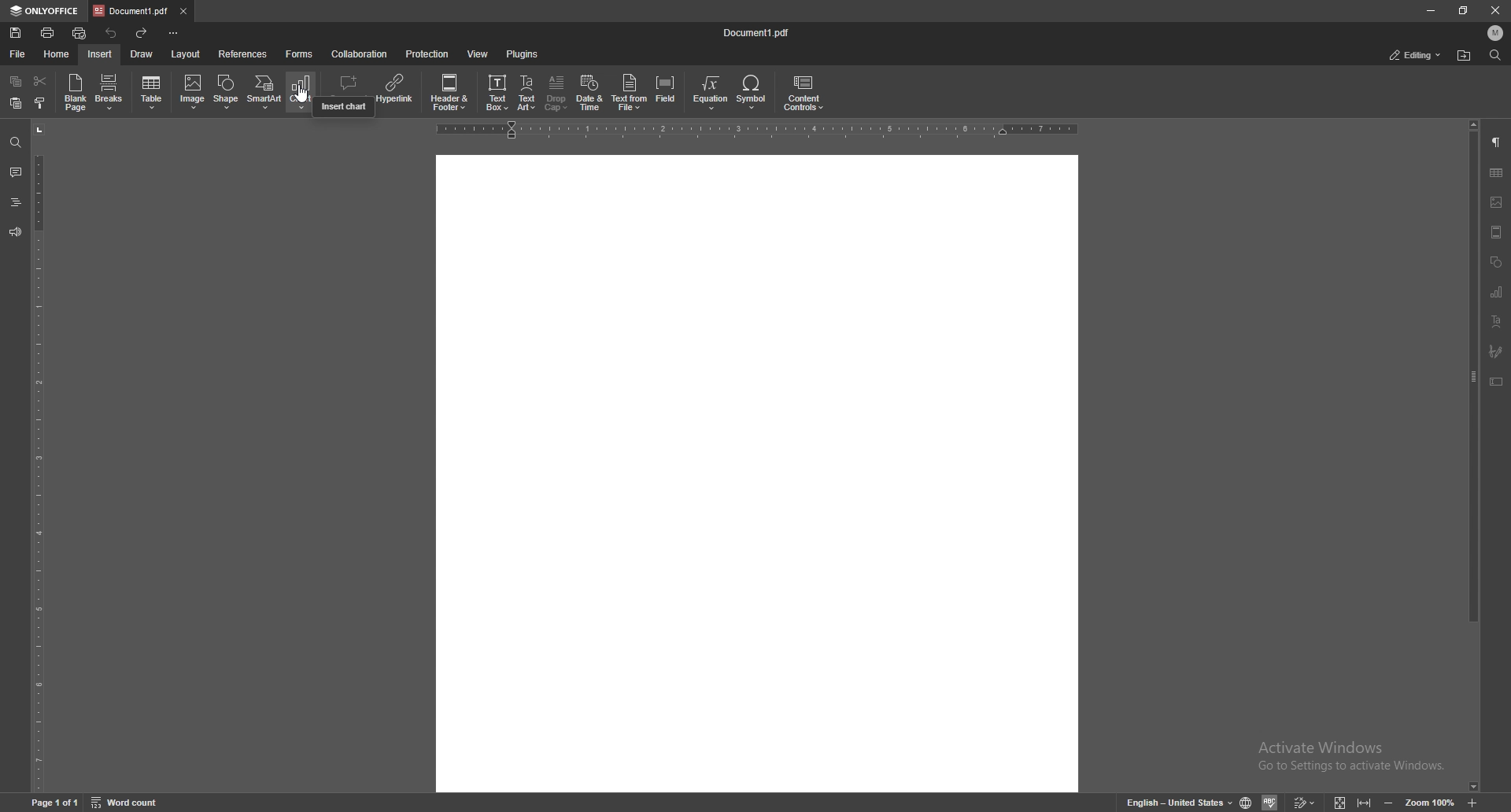 Image resolution: width=1511 pixels, height=812 pixels. Describe the element at coordinates (16, 32) in the screenshot. I see `save` at that location.